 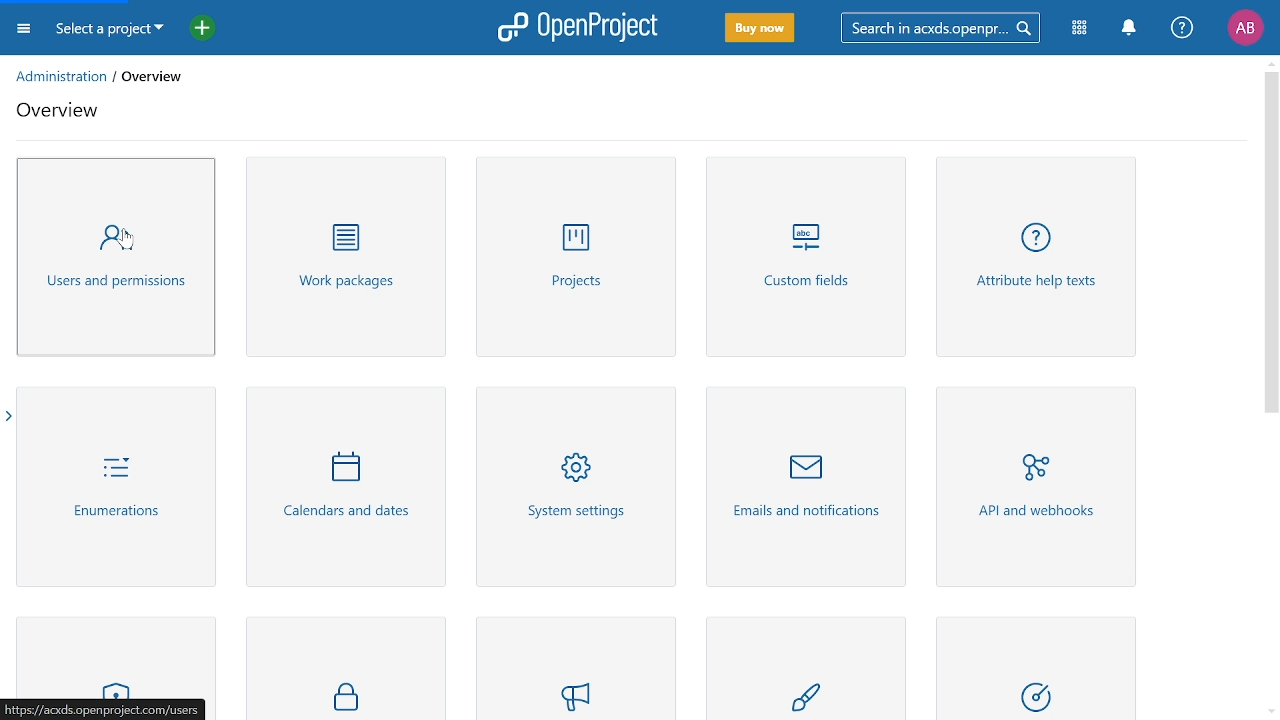 I want to click on GDPR, so click(x=345, y=667).